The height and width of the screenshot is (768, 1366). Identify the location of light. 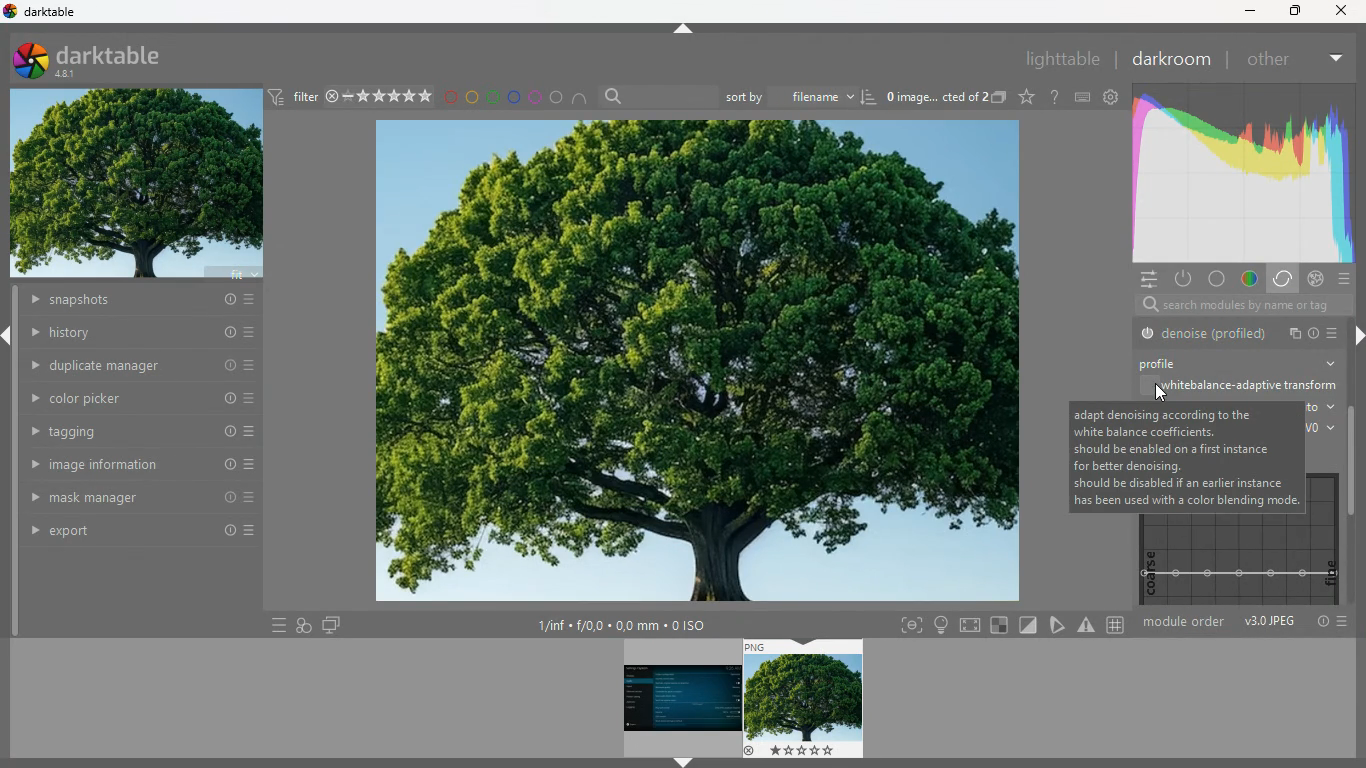
(941, 625).